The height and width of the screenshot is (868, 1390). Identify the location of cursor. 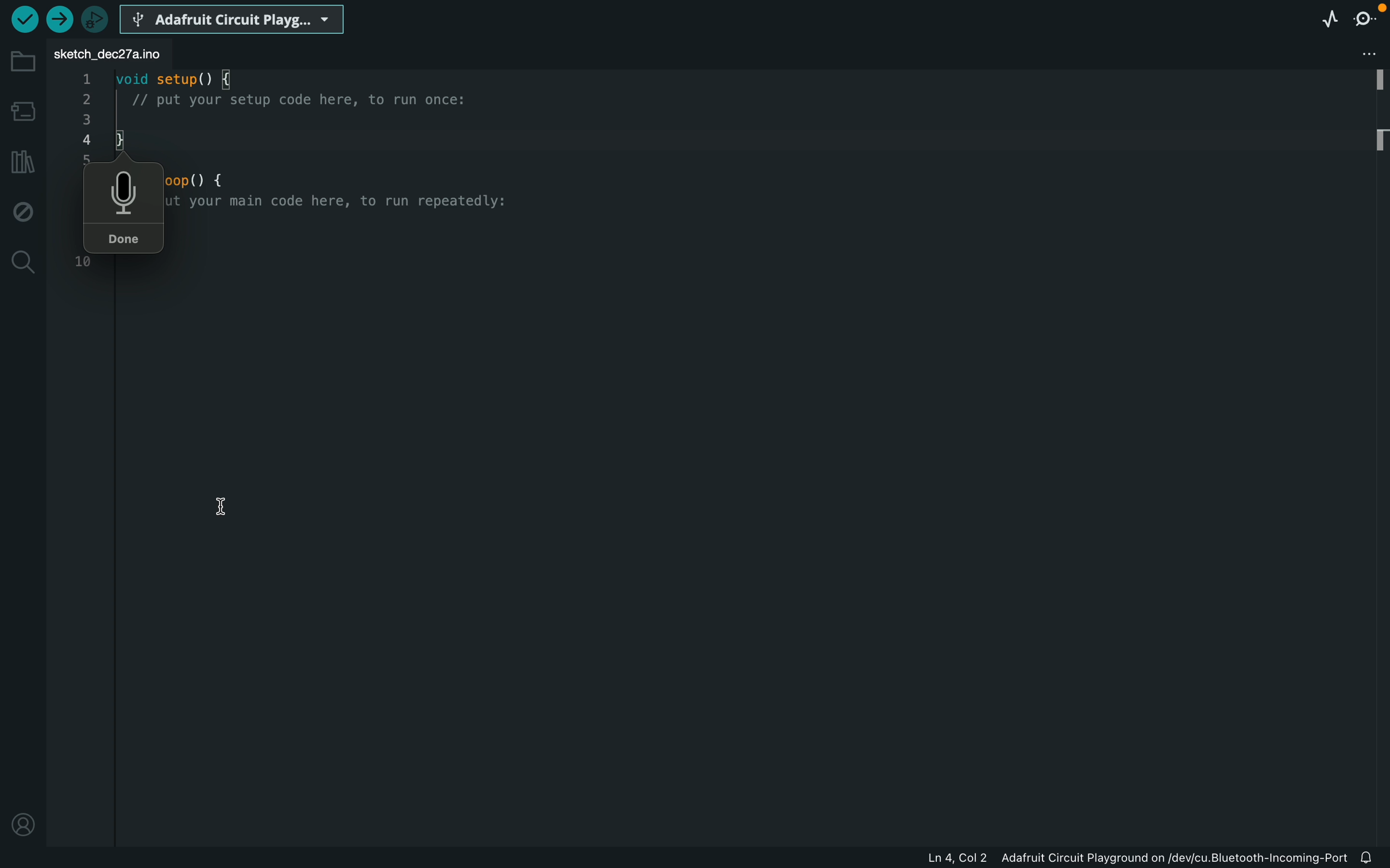
(222, 505).